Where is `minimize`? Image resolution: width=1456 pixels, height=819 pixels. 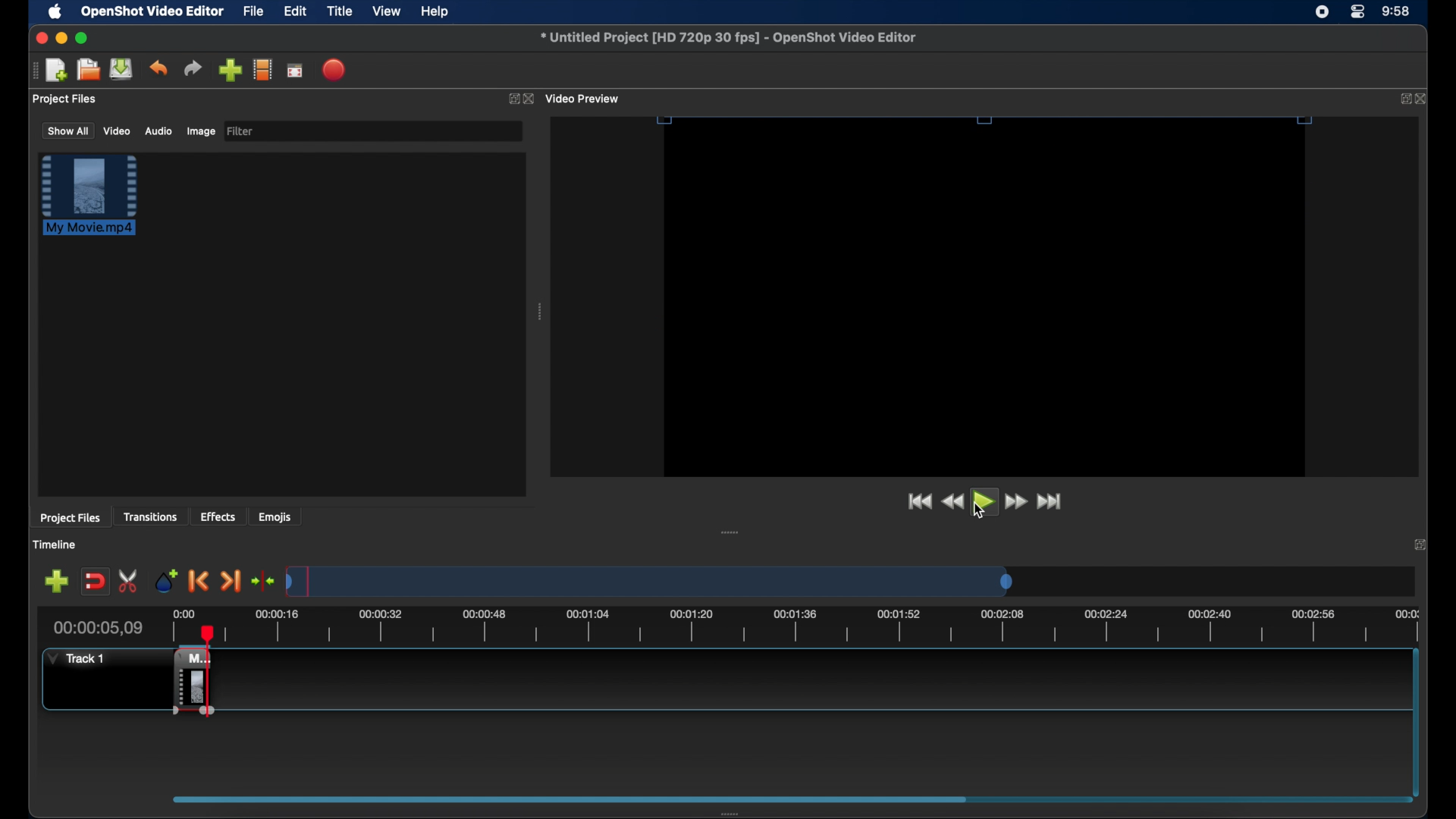 minimize is located at coordinates (61, 38).